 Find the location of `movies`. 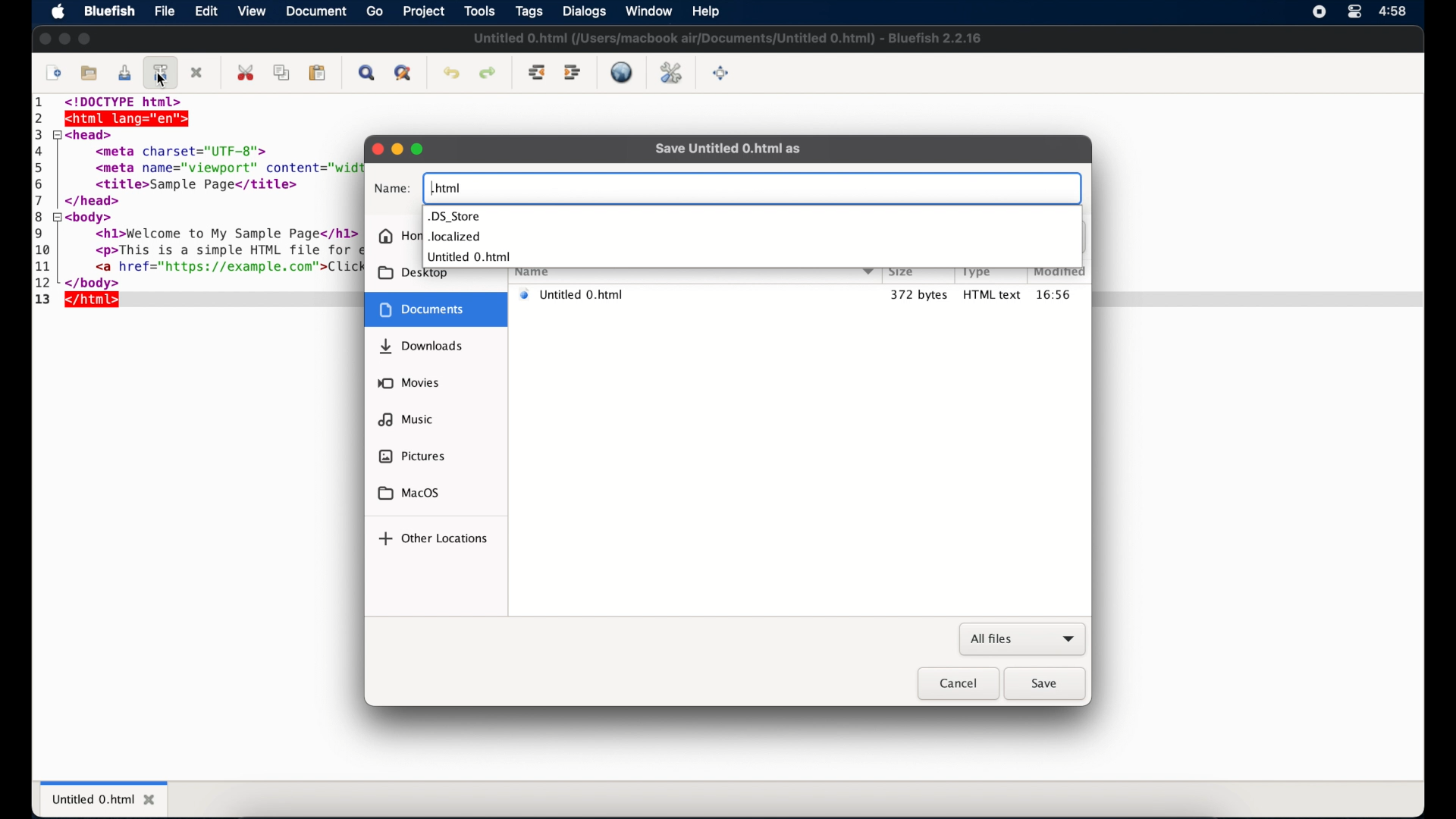

movies is located at coordinates (409, 383).